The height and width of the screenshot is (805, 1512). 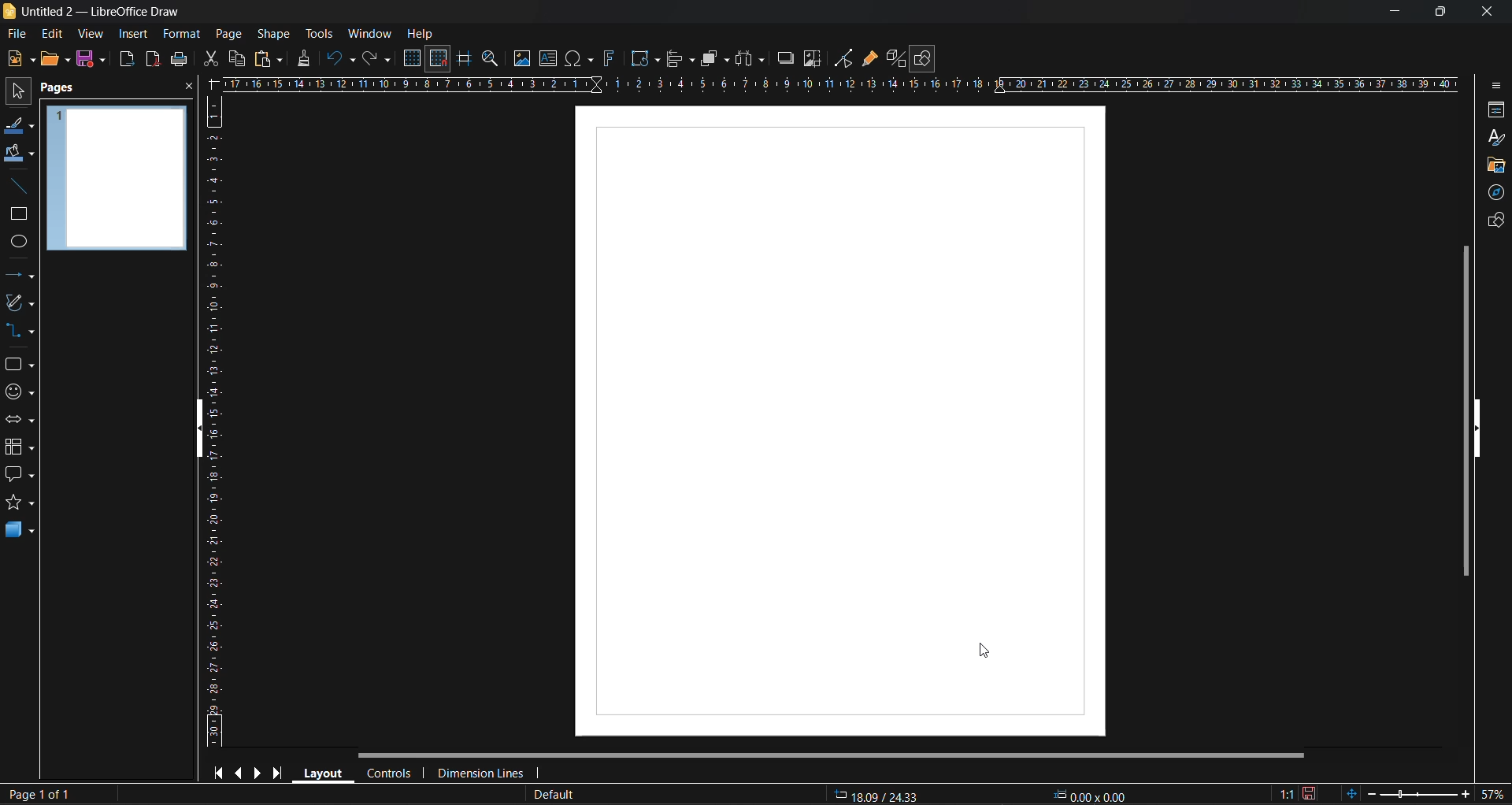 I want to click on scaling factor, so click(x=1284, y=793).